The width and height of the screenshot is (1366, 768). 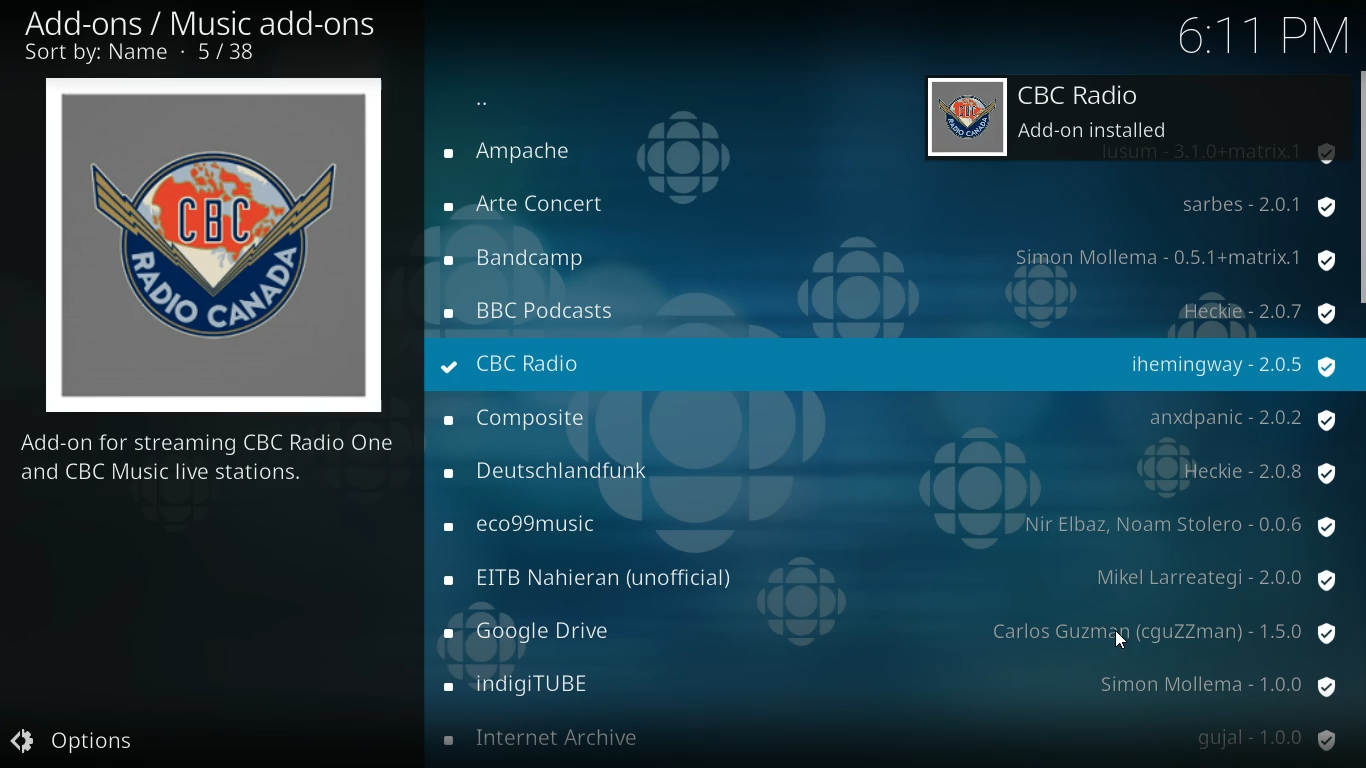 What do you see at coordinates (530, 206) in the screenshot?
I see `radio name` at bounding box center [530, 206].